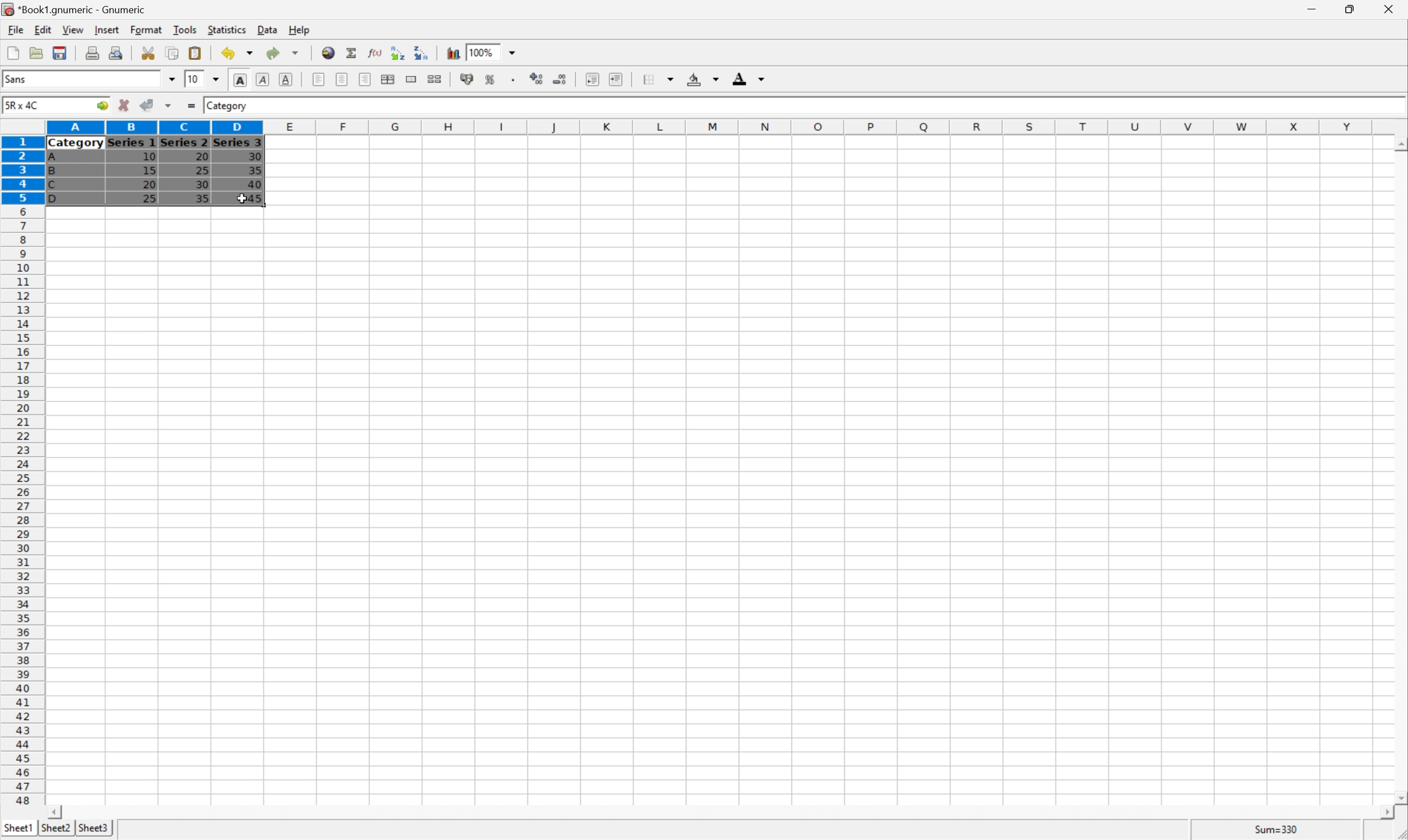 This screenshot has height=840, width=1408. Describe the element at coordinates (92, 54) in the screenshot. I see `Print current file` at that location.